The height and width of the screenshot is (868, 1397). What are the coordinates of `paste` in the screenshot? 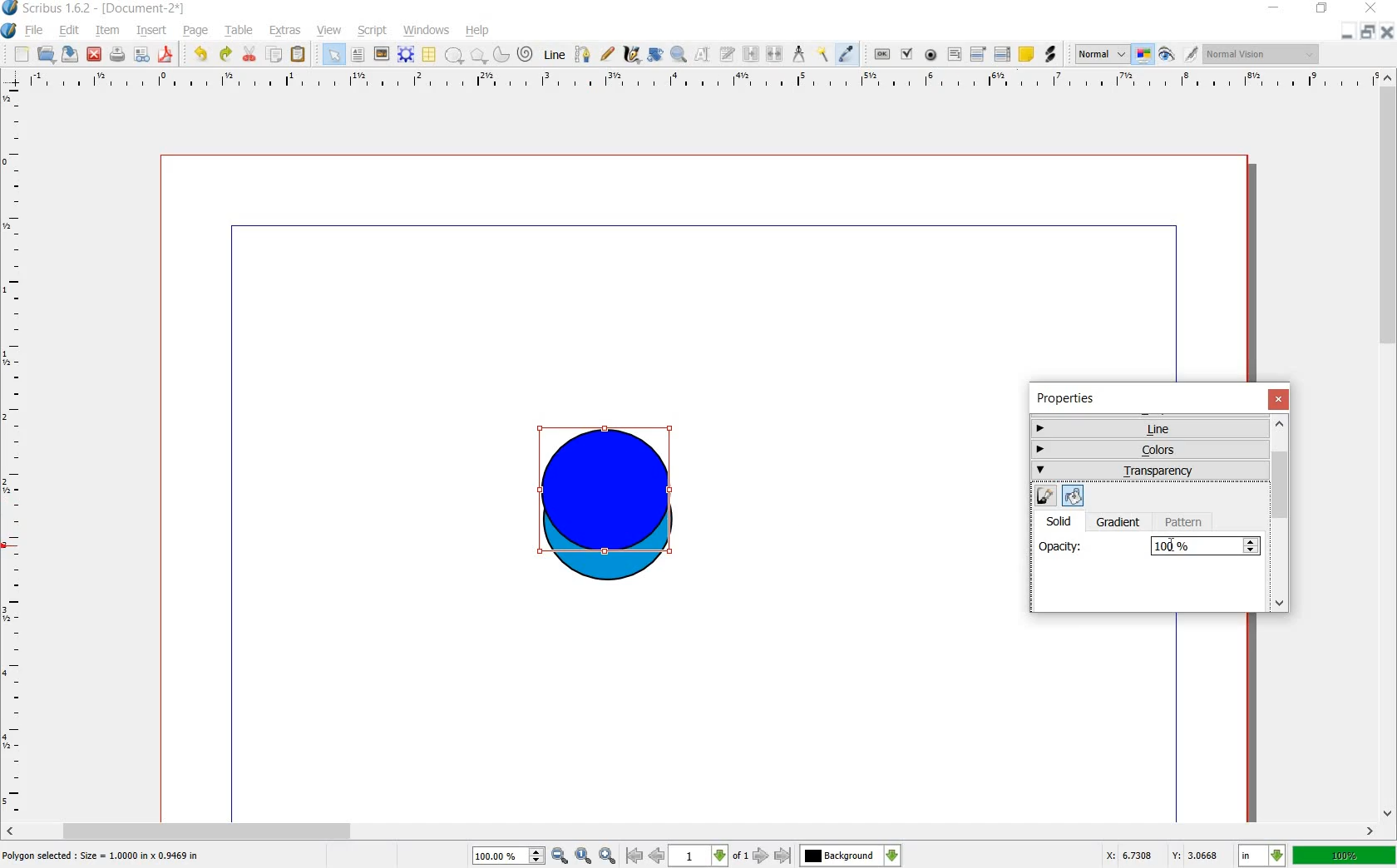 It's located at (298, 54).